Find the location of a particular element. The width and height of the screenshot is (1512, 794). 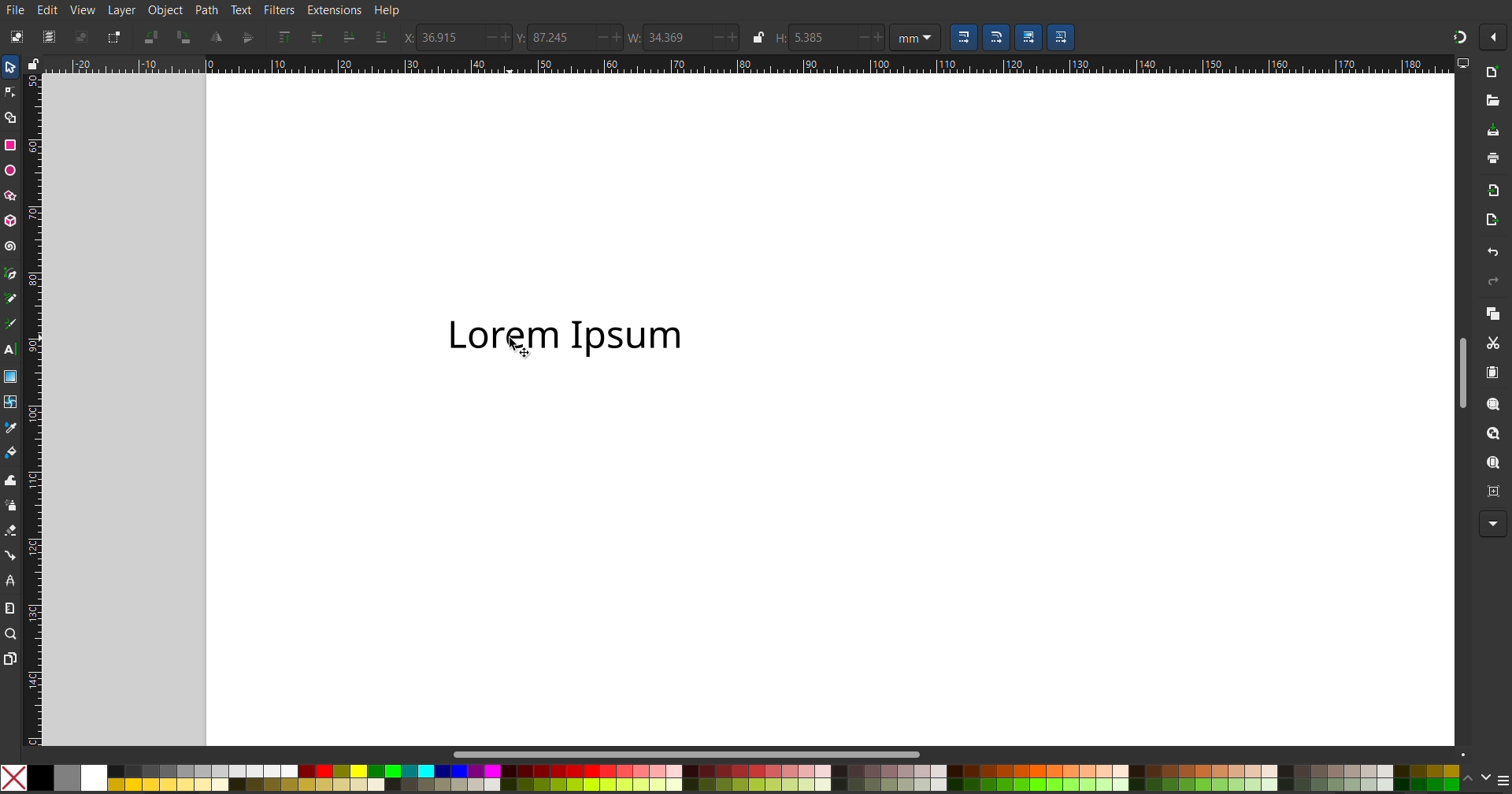

Zoom Centre Page is located at coordinates (1492, 492).